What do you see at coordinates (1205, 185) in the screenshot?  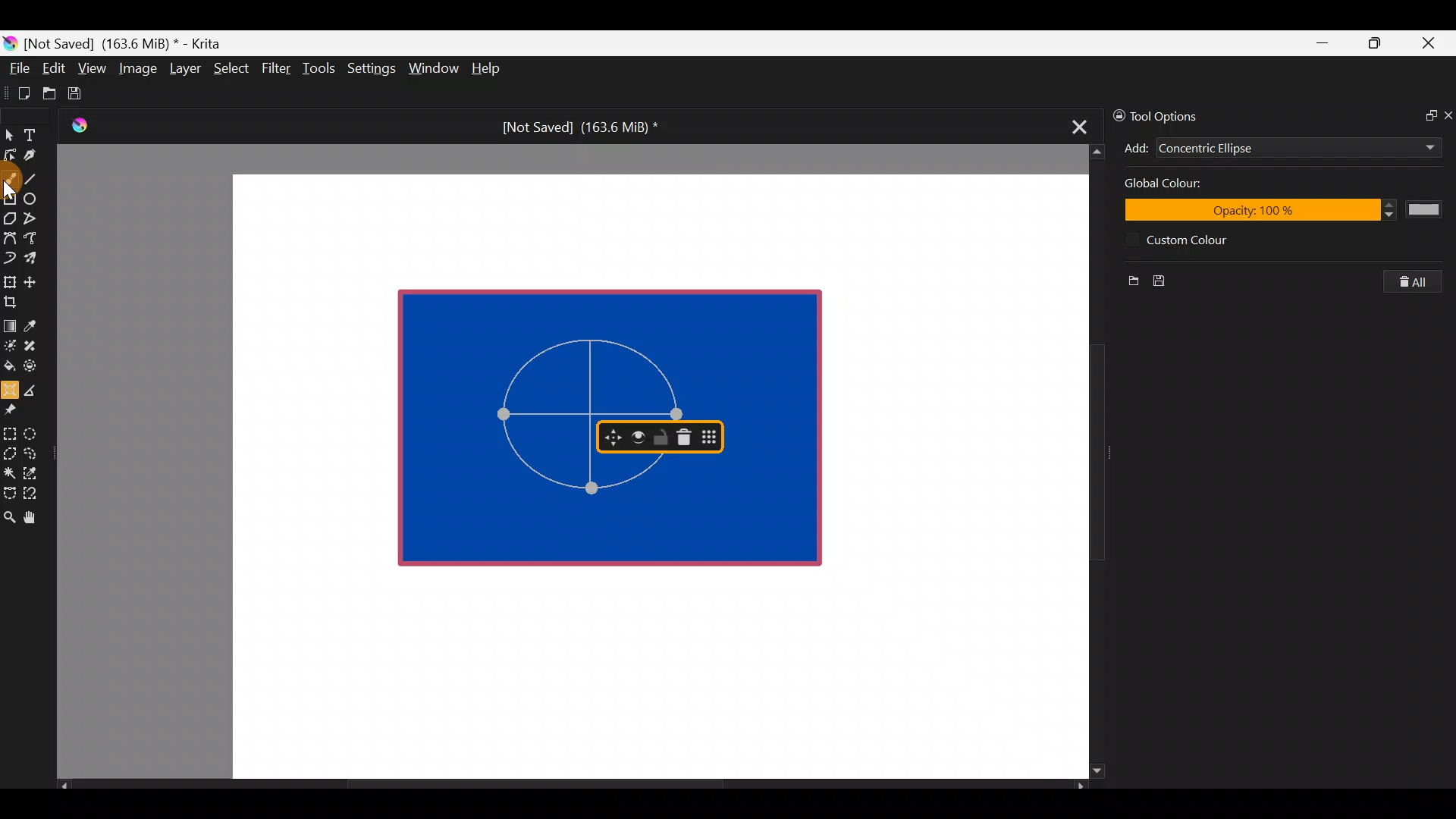 I see `Global color` at bounding box center [1205, 185].